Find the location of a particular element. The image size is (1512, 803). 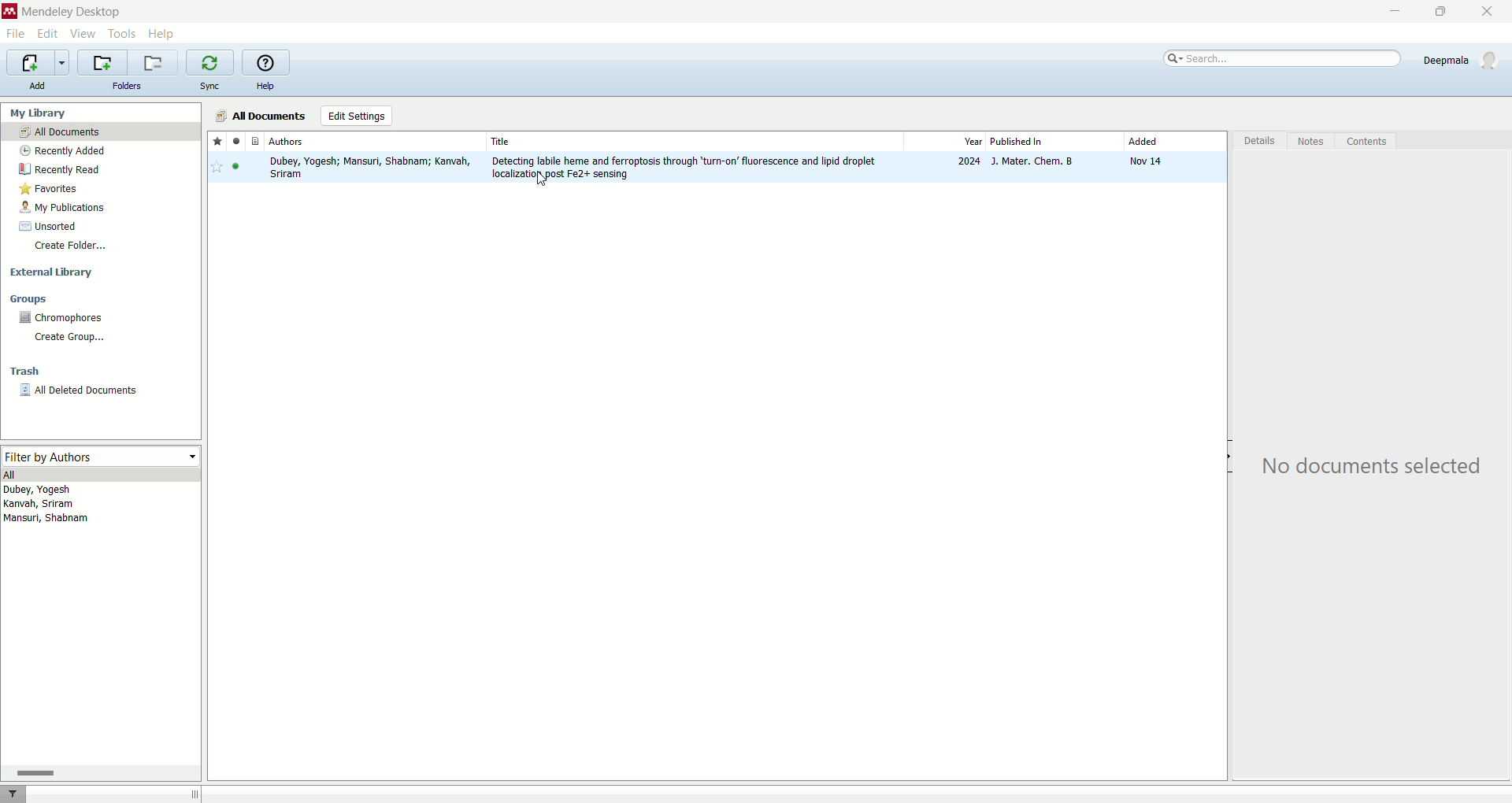

year is located at coordinates (943, 141).